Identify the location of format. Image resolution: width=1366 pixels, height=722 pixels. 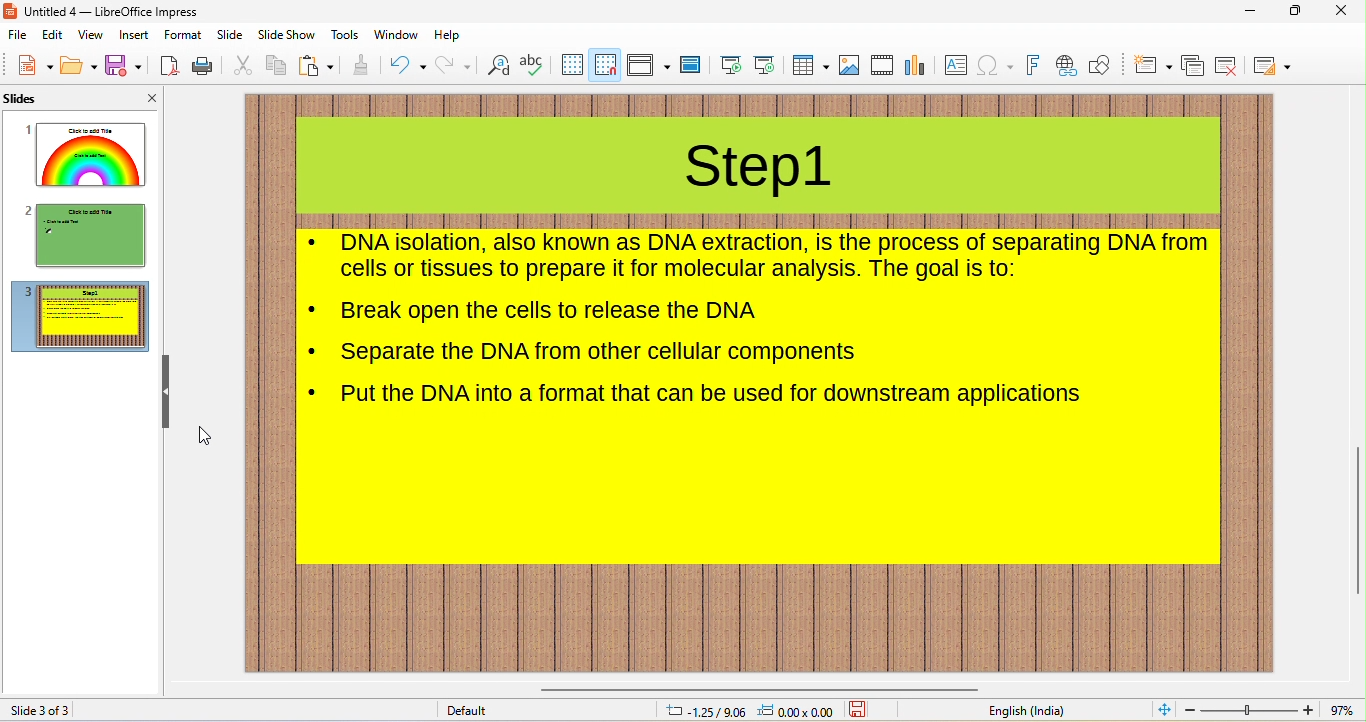
(184, 36).